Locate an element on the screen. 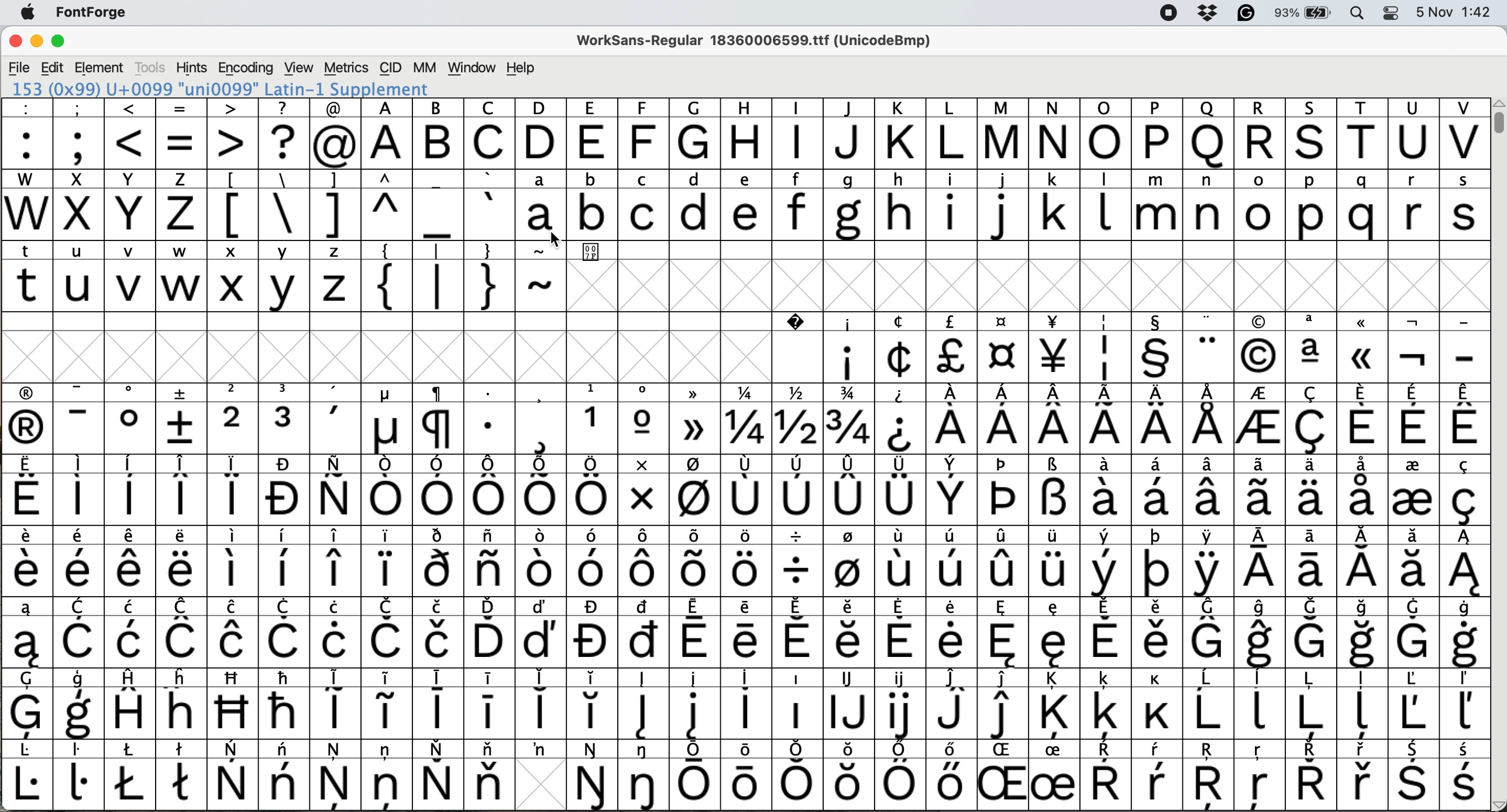 This screenshot has width=1507, height=812. symbol is located at coordinates (1109, 349).